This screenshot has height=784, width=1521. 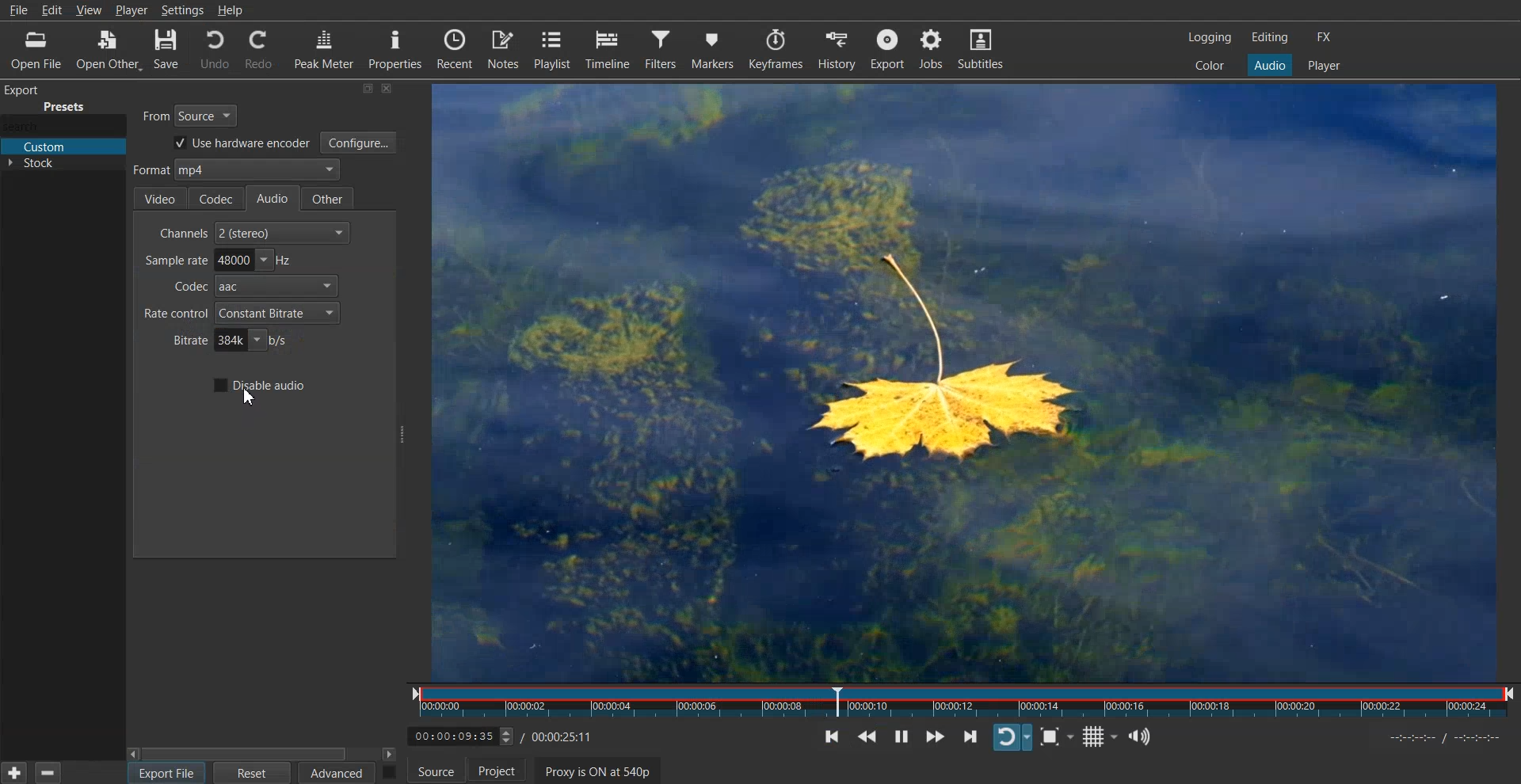 I want to click on Horizontal Scroll bar, so click(x=263, y=753).